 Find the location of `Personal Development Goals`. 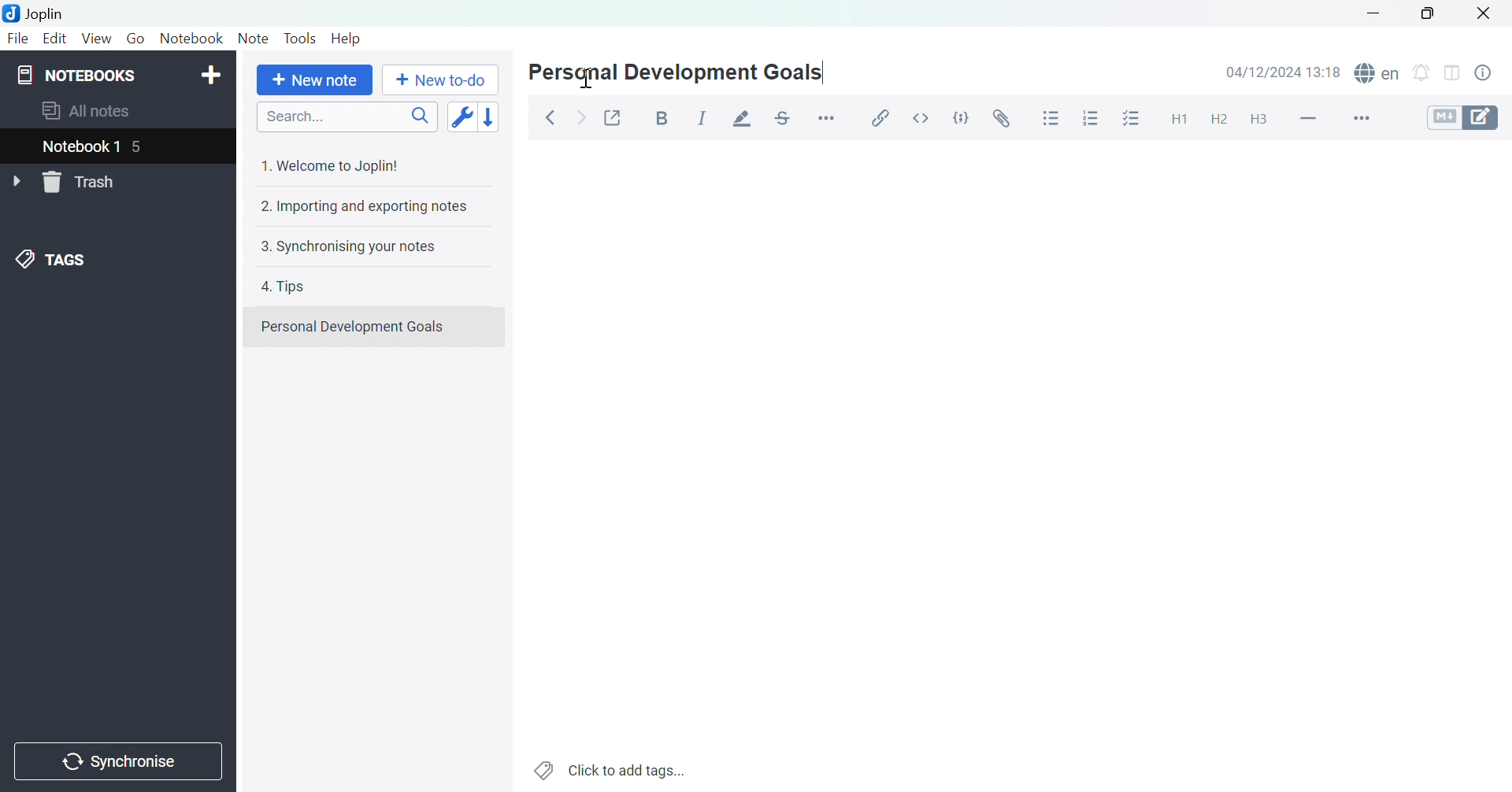

Personal Development Goals is located at coordinates (353, 327).